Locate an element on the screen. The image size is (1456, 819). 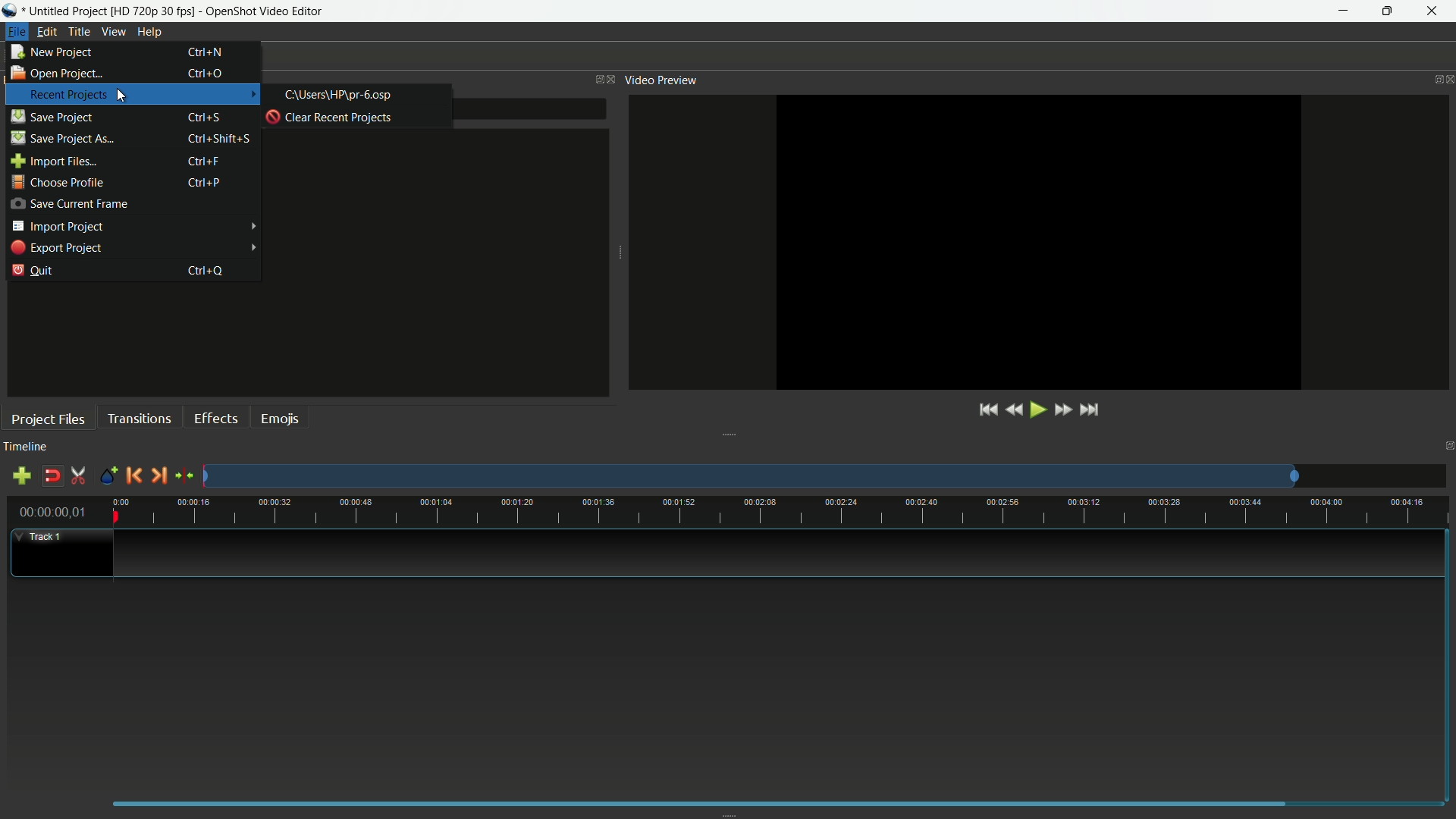
create marker is located at coordinates (108, 477).